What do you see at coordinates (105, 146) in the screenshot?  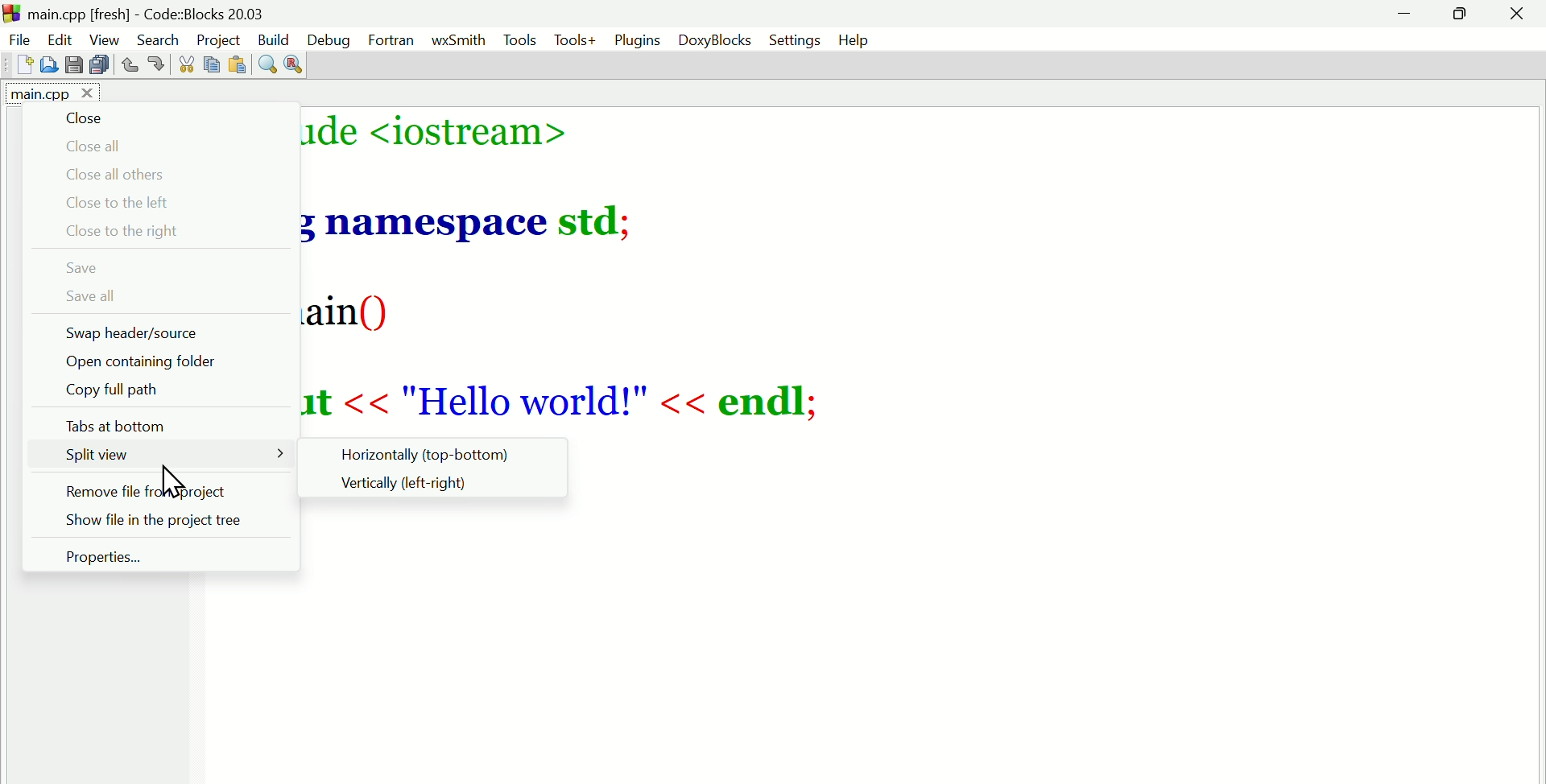 I see `Close all` at bounding box center [105, 146].